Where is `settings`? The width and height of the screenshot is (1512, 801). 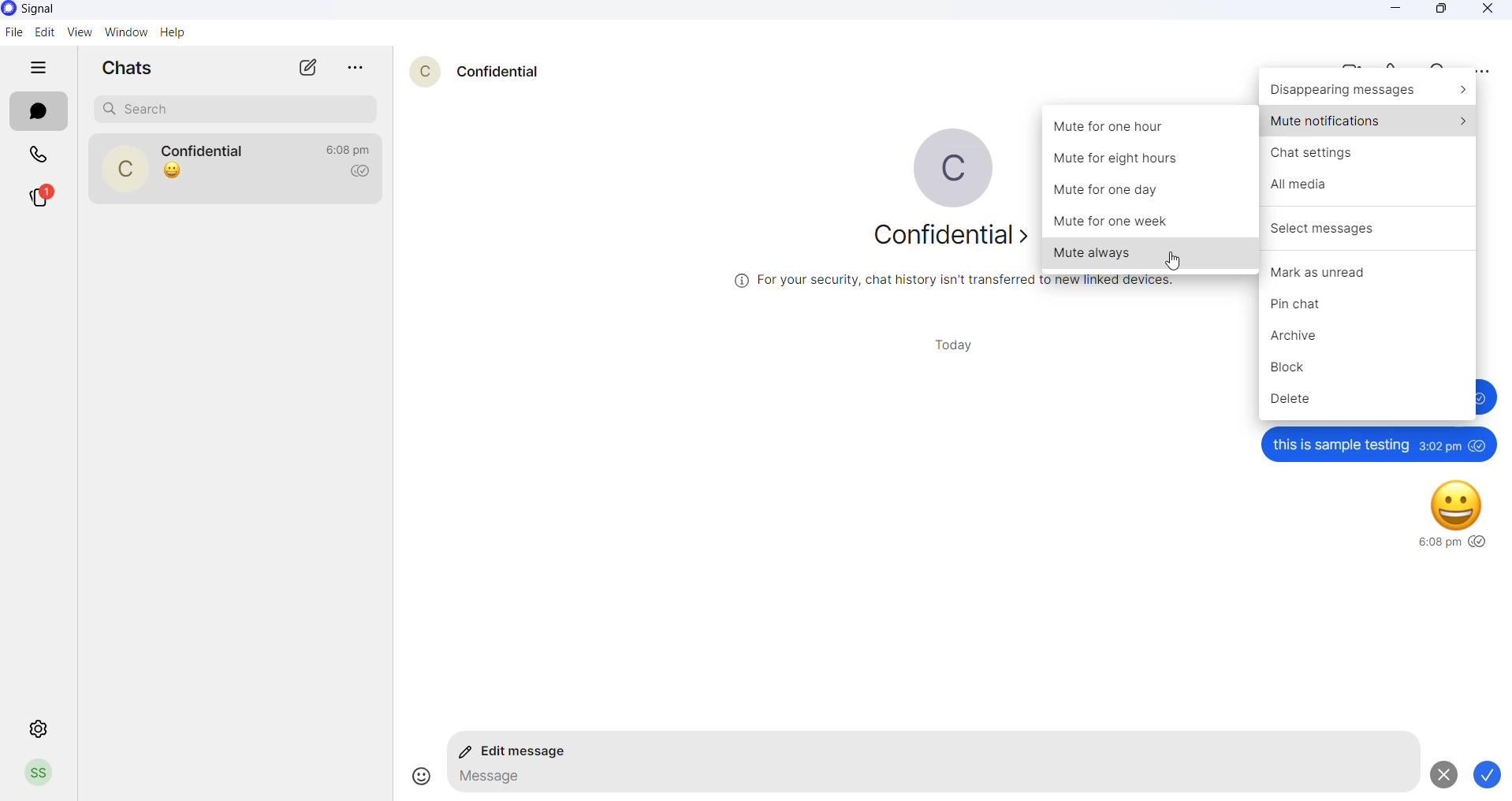 settings is located at coordinates (40, 726).